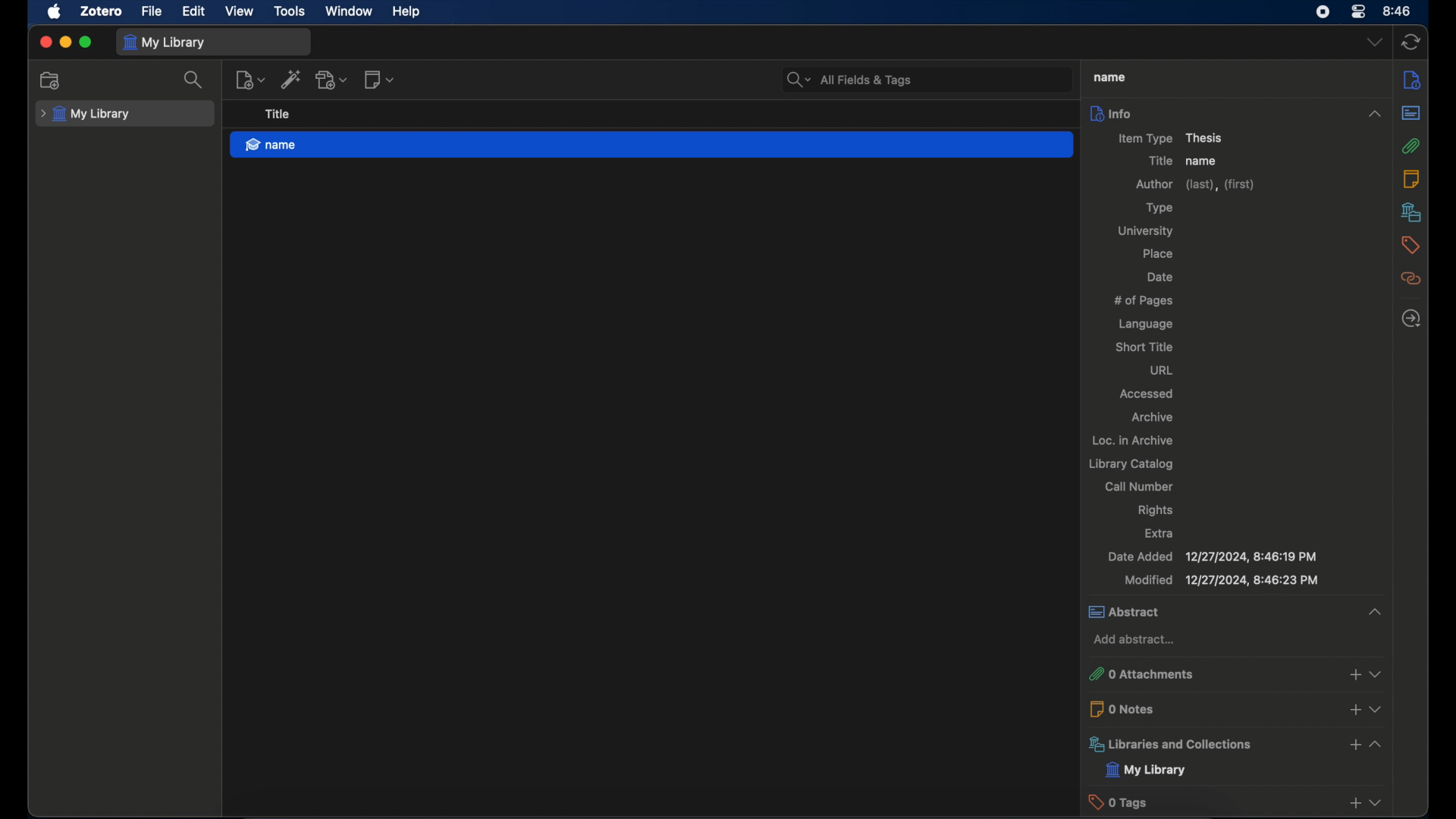 This screenshot has height=819, width=1456. Describe the element at coordinates (1160, 277) in the screenshot. I see `date` at that location.